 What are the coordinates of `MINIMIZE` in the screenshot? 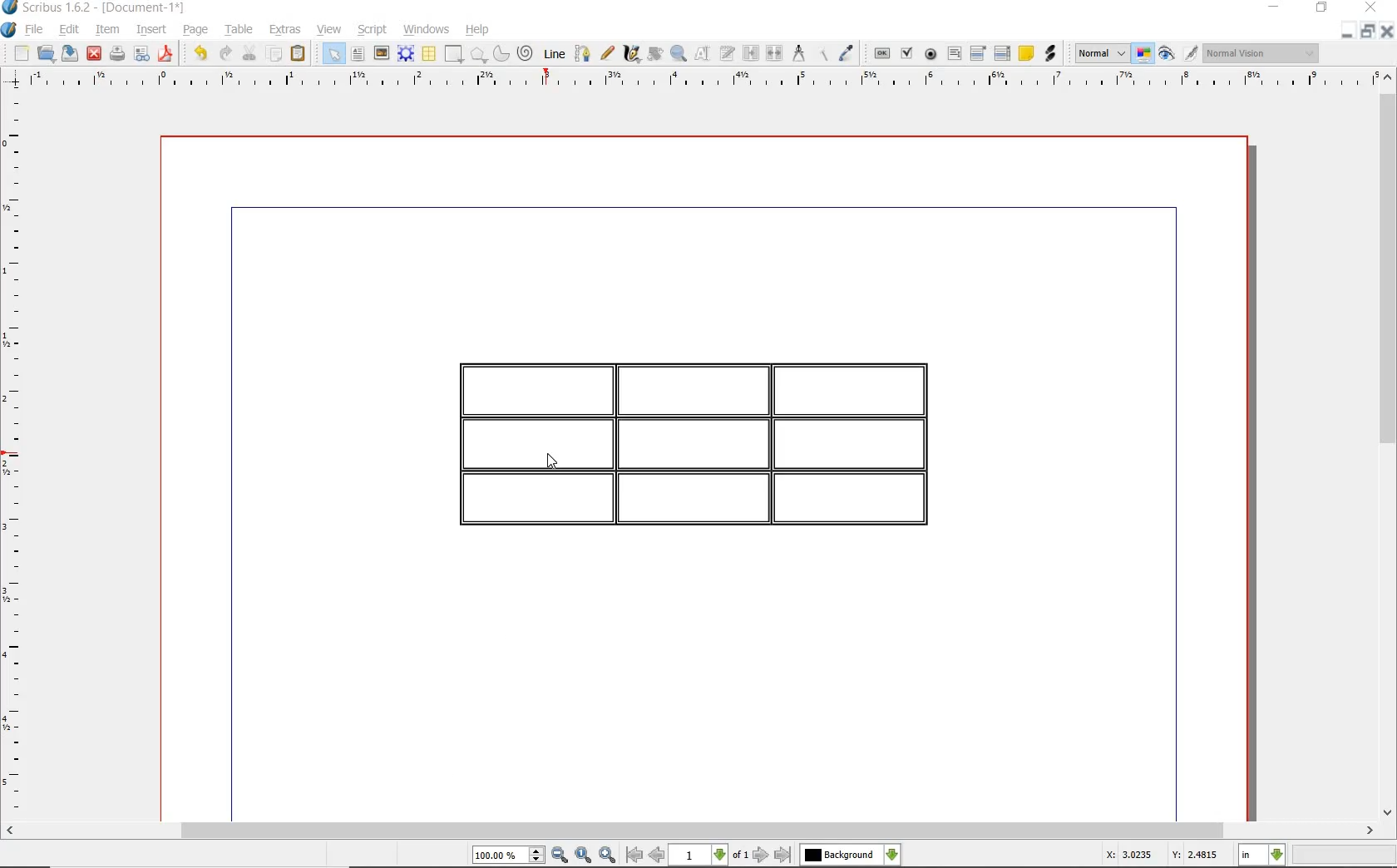 It's located at (1348, 31).